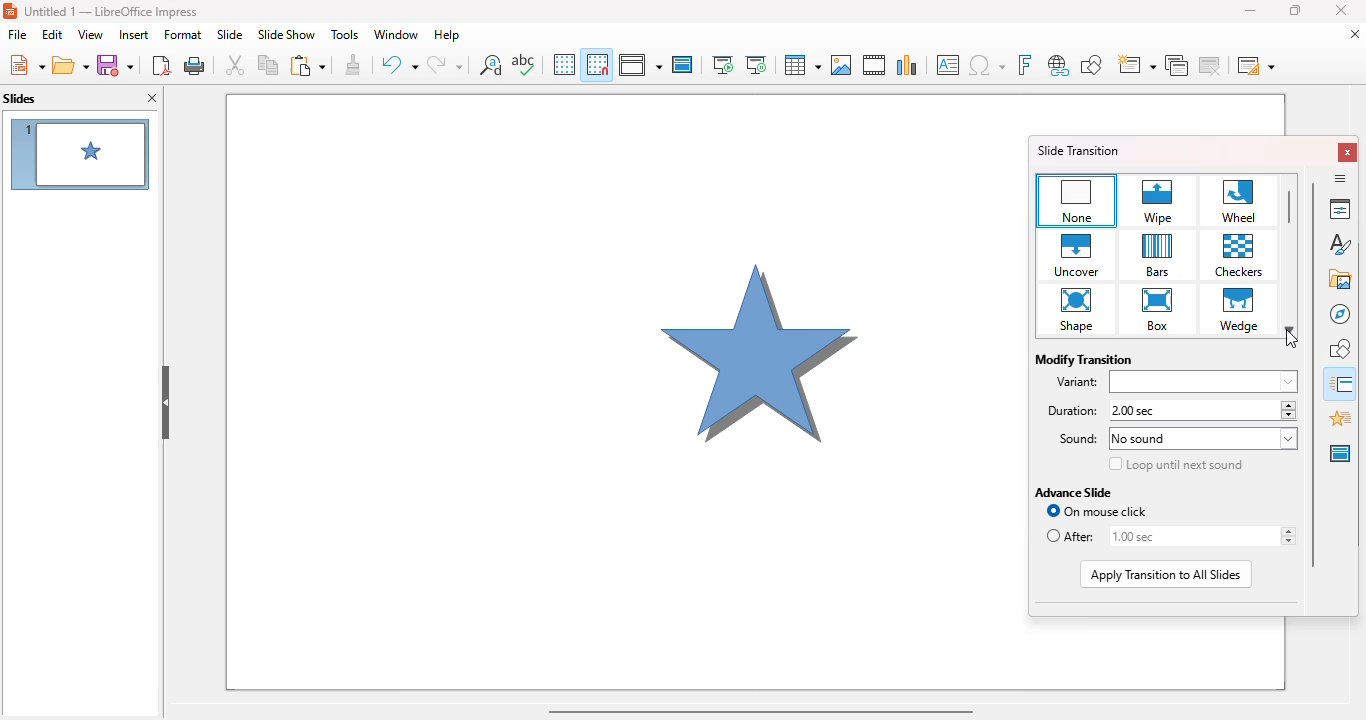  What do you see at coordinates (1355, 33) in the screenshot?
I see `close document` at bounding box center [1355, 33].